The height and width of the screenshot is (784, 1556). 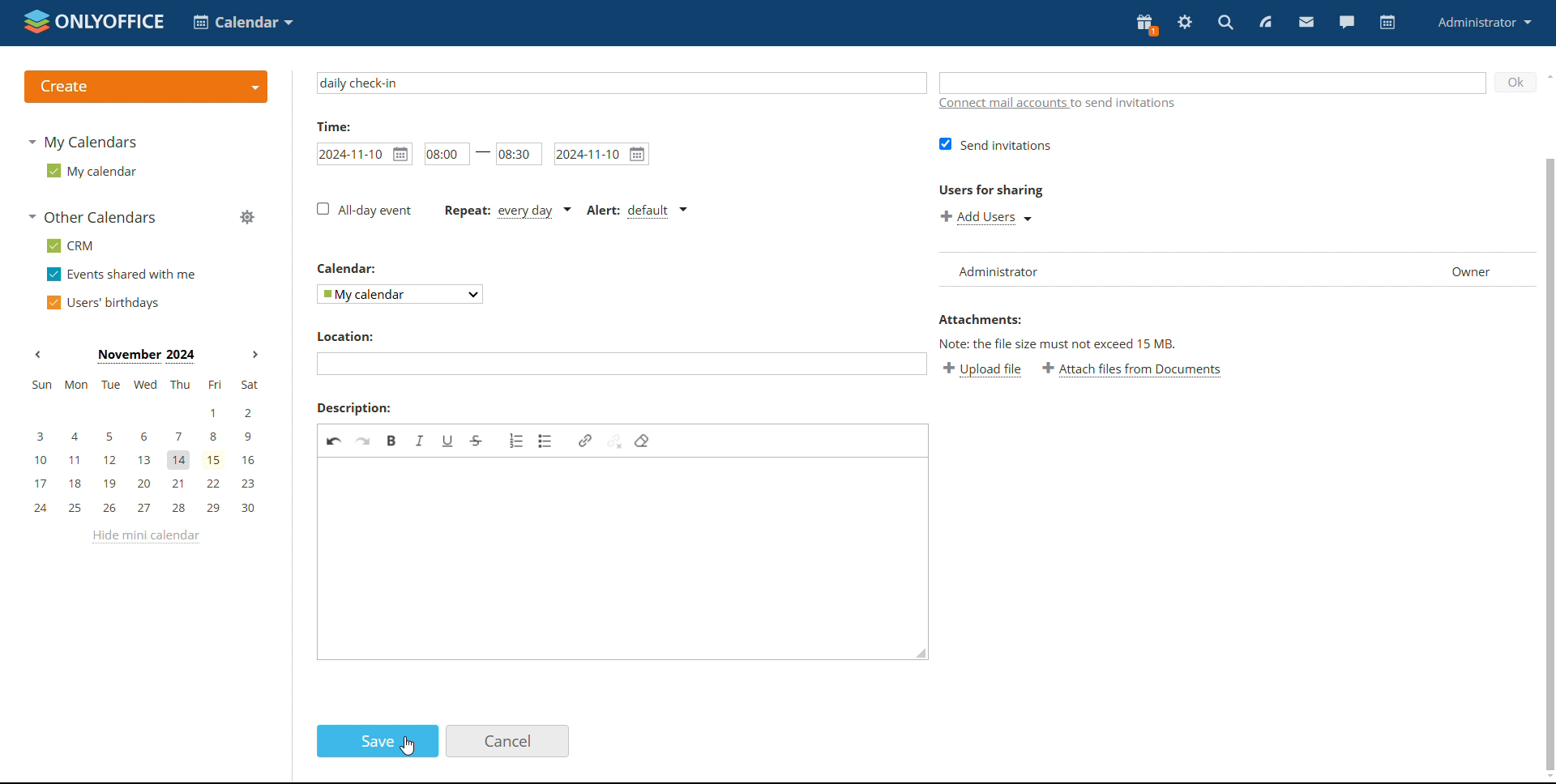 I want to click on all-day event checkbox, so click(x=362, y=209).